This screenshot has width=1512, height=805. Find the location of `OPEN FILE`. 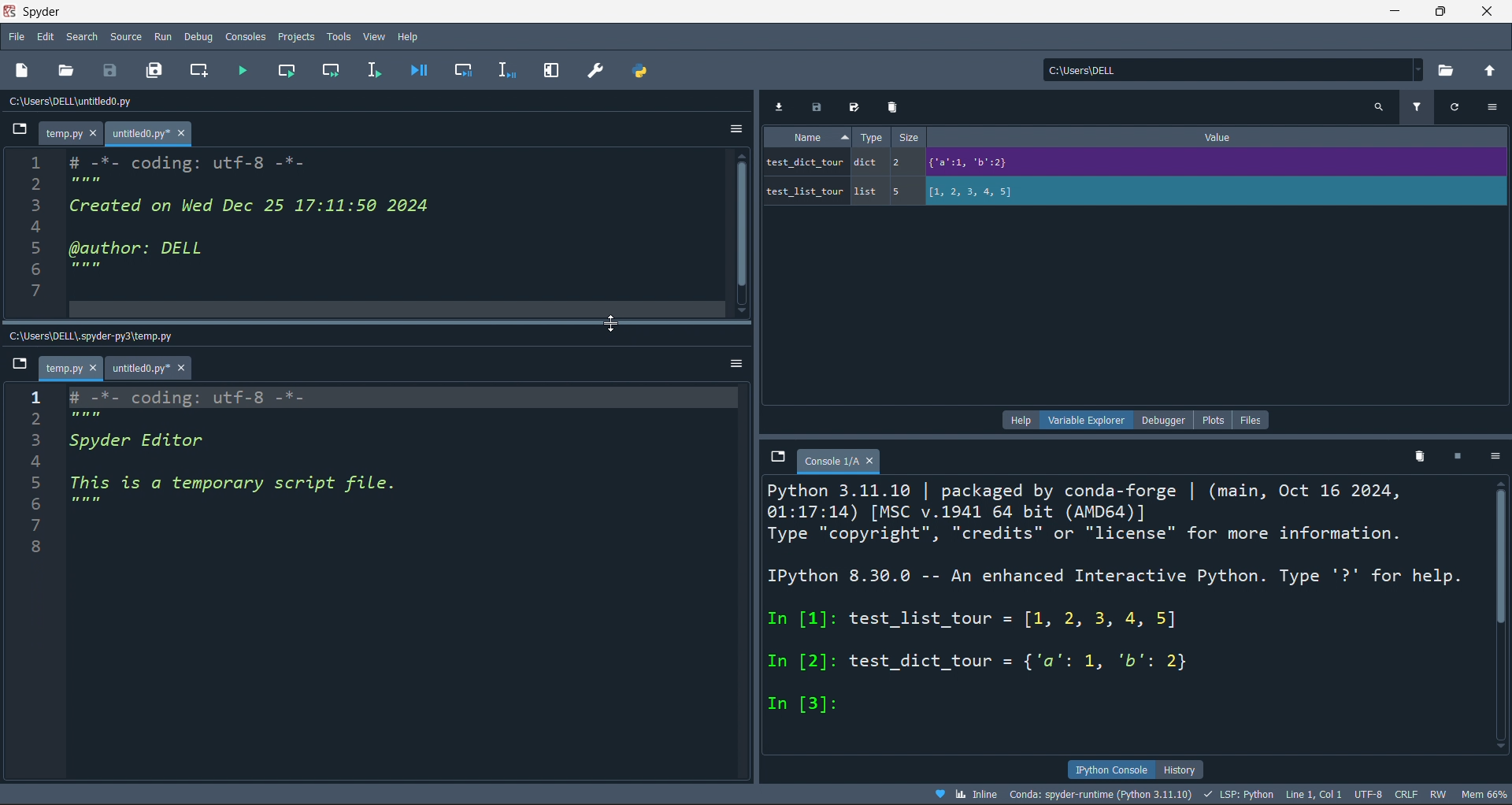

OPEN FILE is located at coordinates (66, 69).